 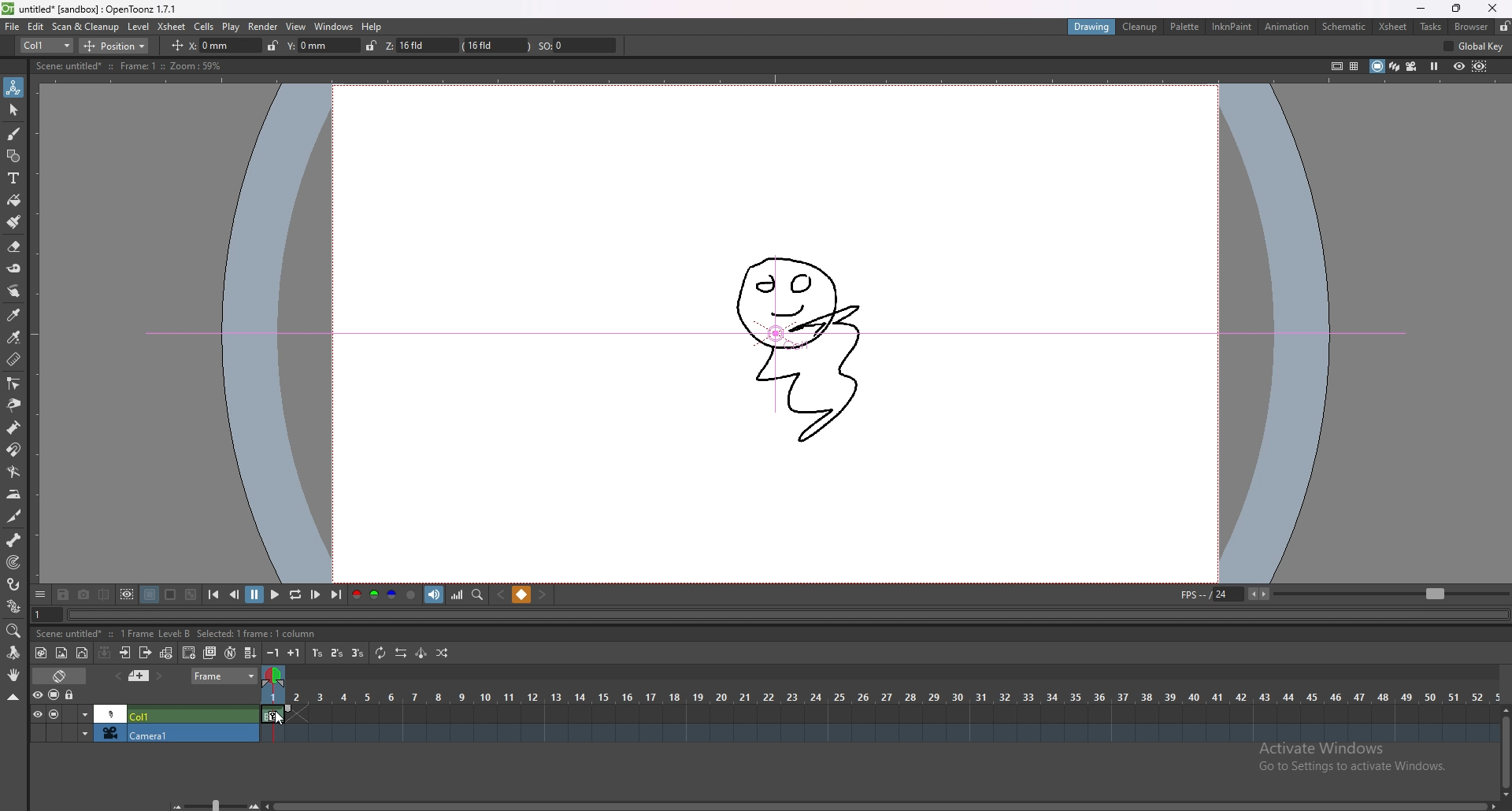 I want to click on animate, so click(x=14, y=87).